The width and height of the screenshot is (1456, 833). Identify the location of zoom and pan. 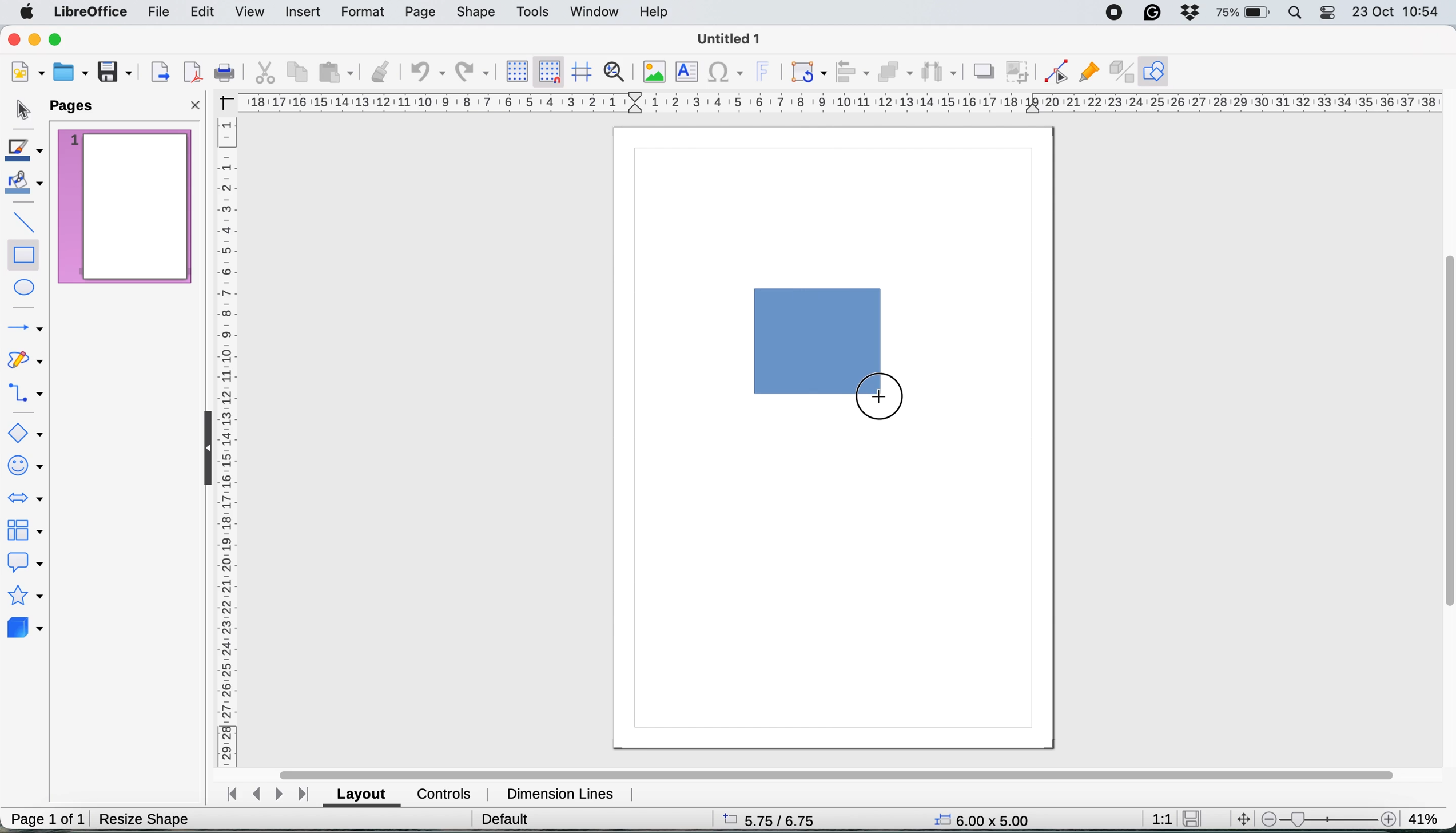
(620, 71).